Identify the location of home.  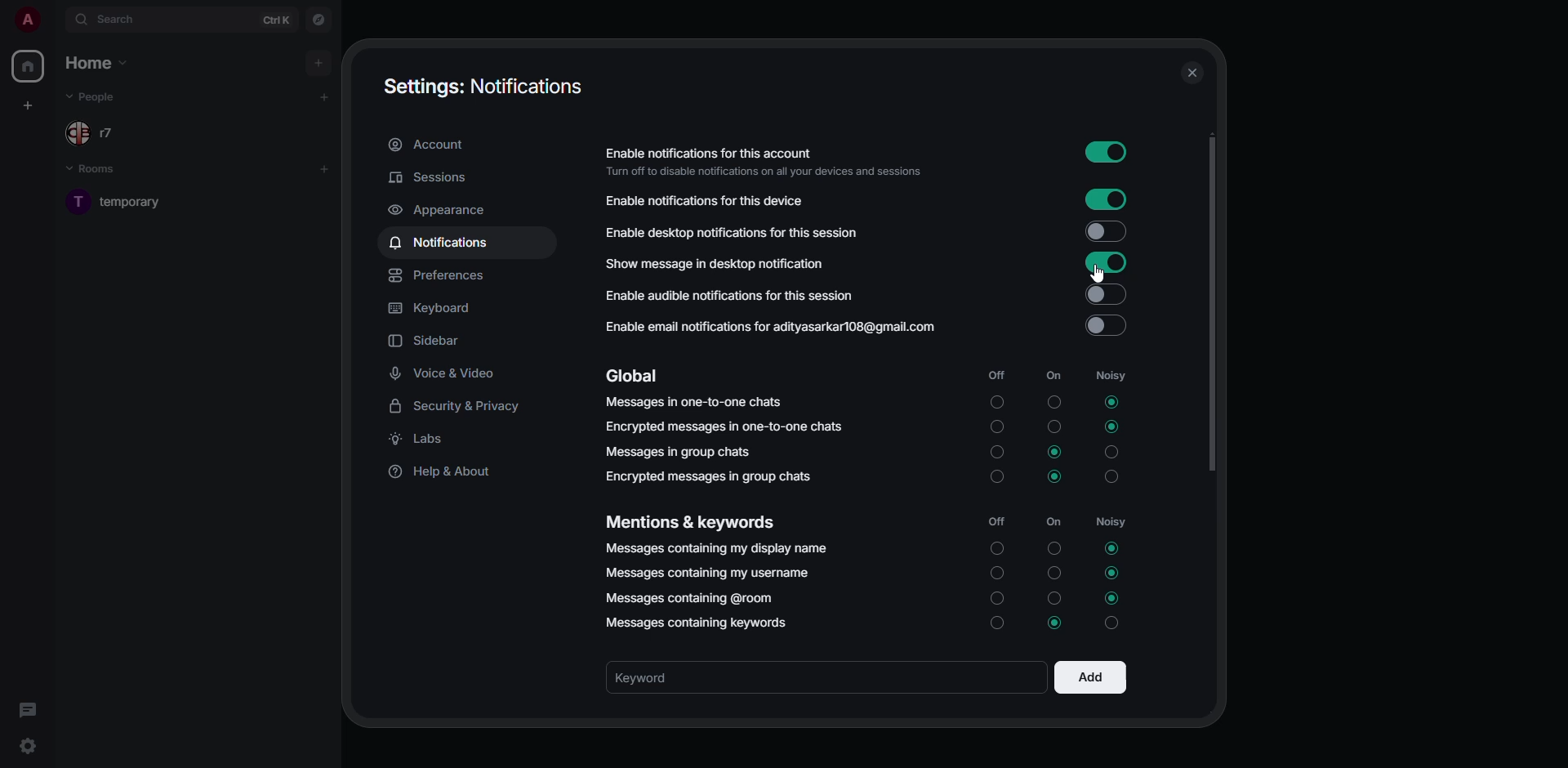
(99, 61).